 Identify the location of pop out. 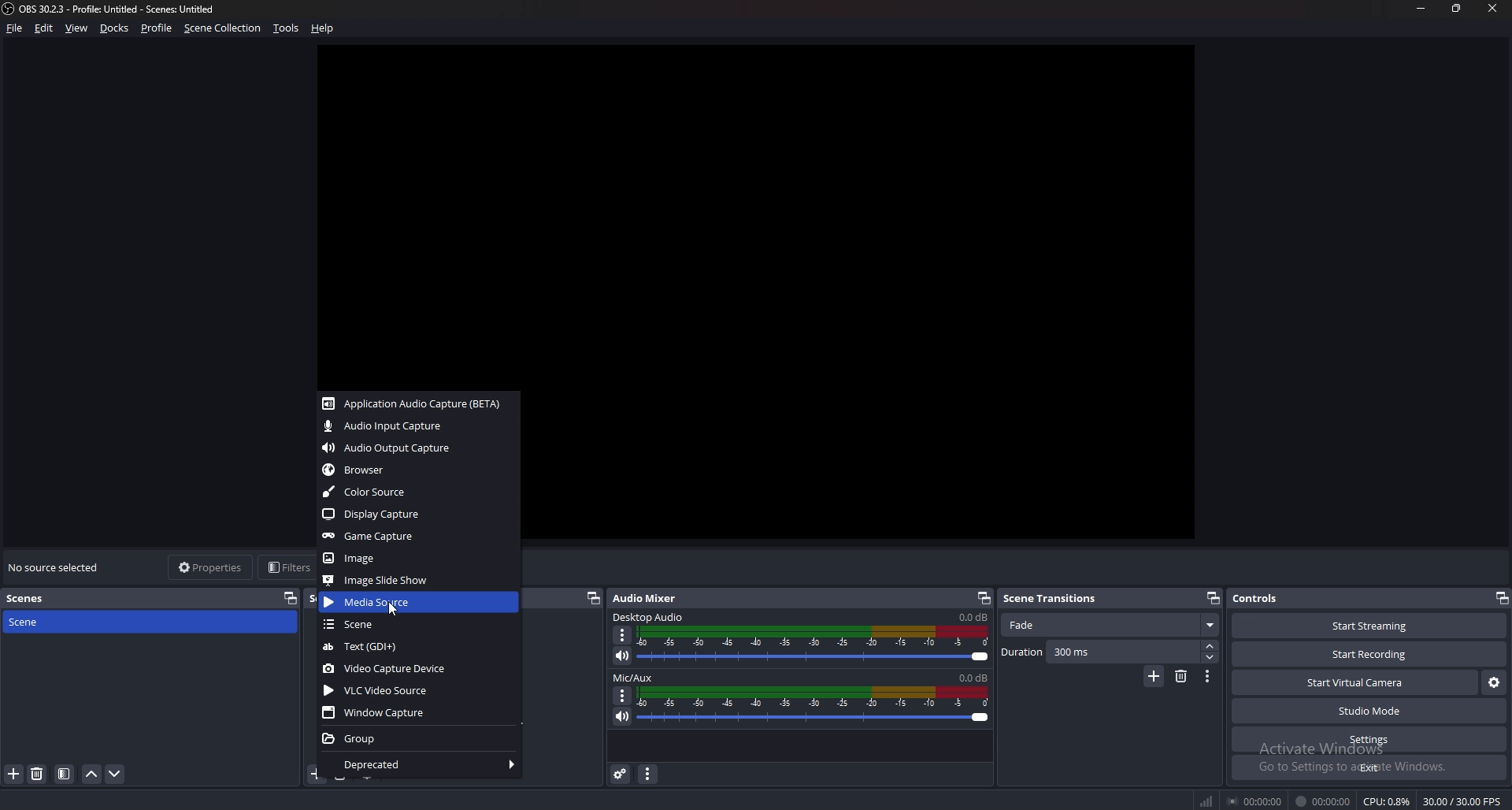
(287, 597).